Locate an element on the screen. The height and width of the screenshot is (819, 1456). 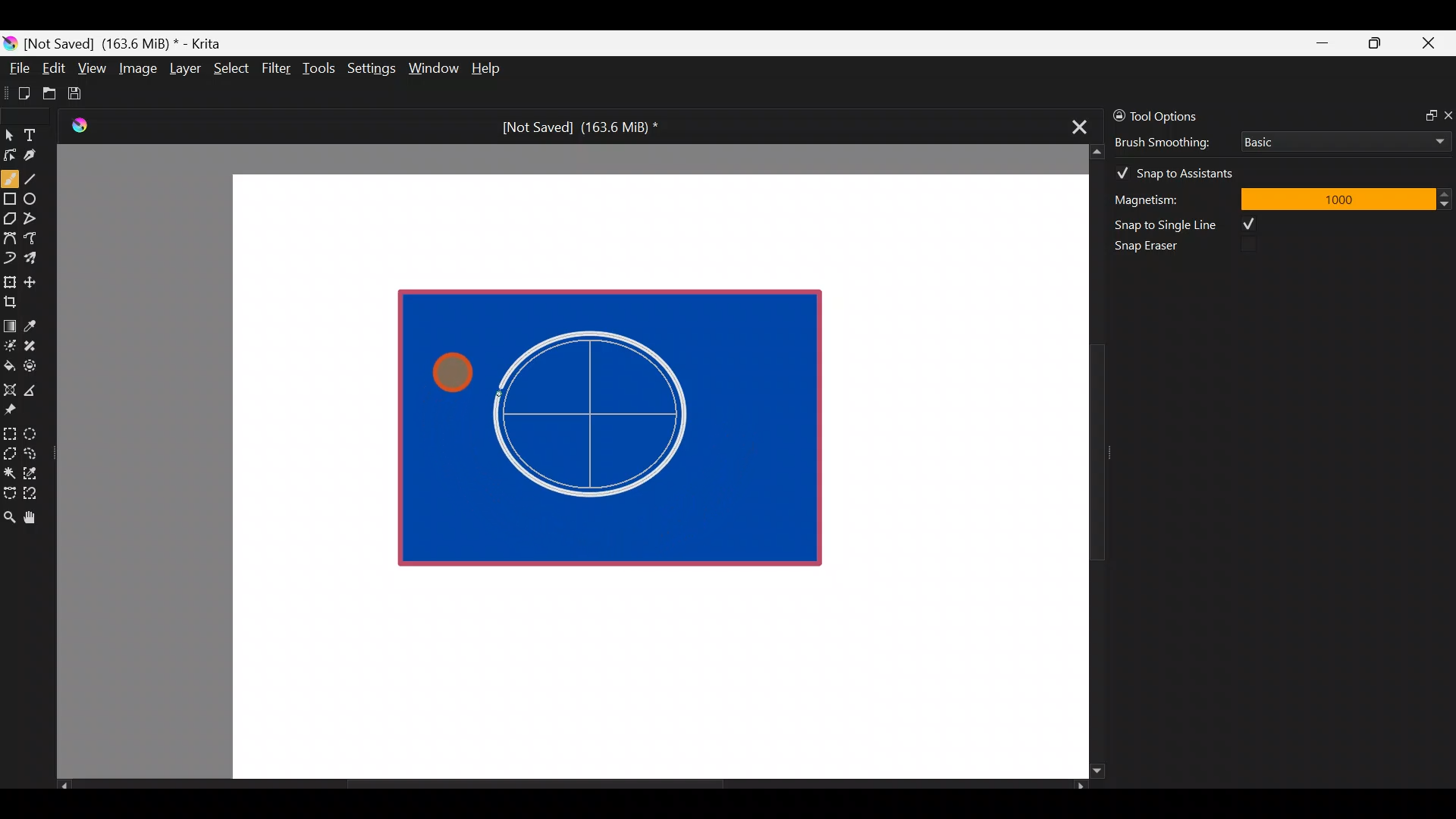
Magnetism is located at coordinates (1168, 197).